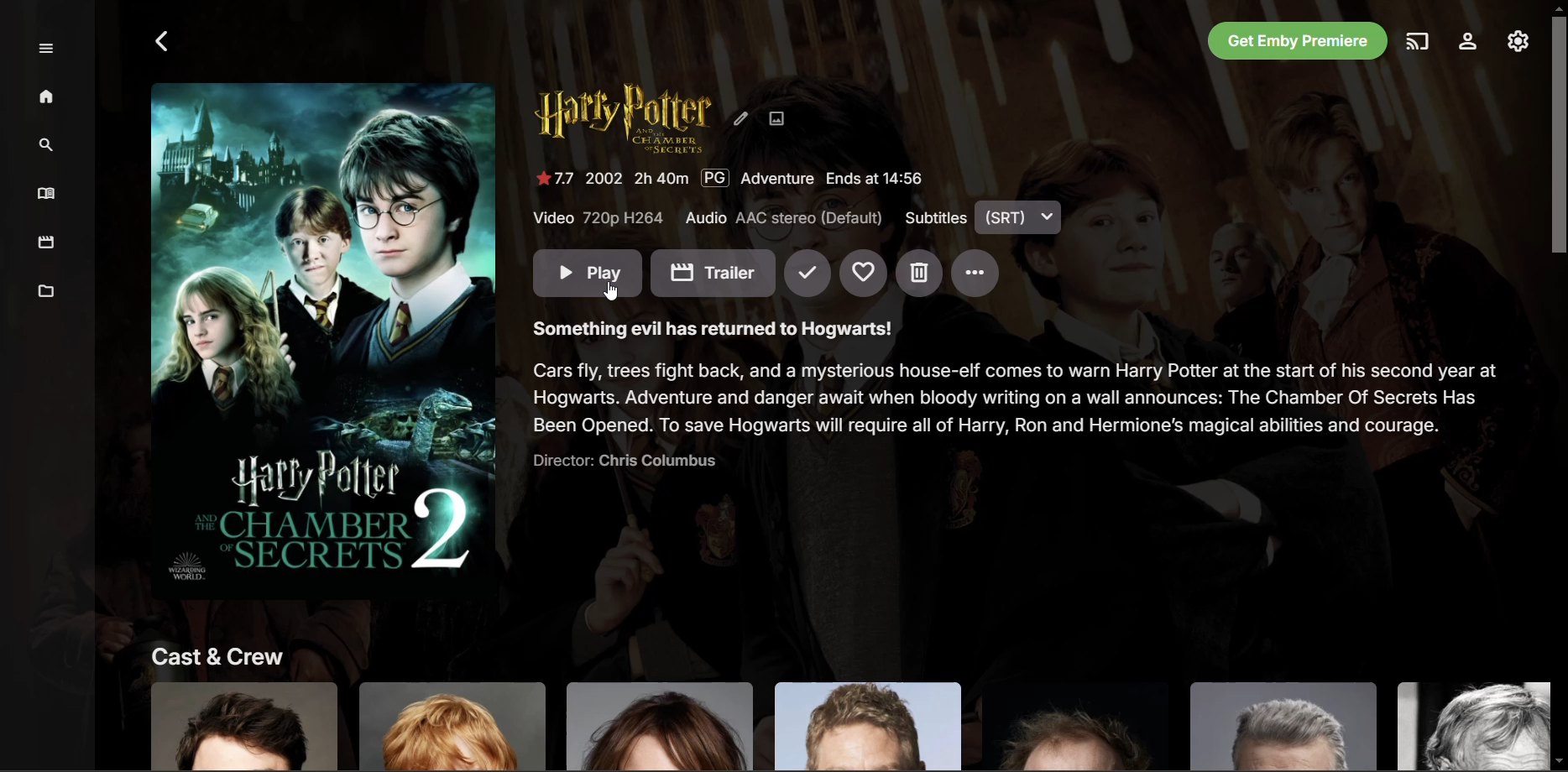 The width and height of the screenshot is (1568, 772). What do you see at coordinates (737, 178) in the screenshot?
I see `Movie details` at bounding box center [737, 178].